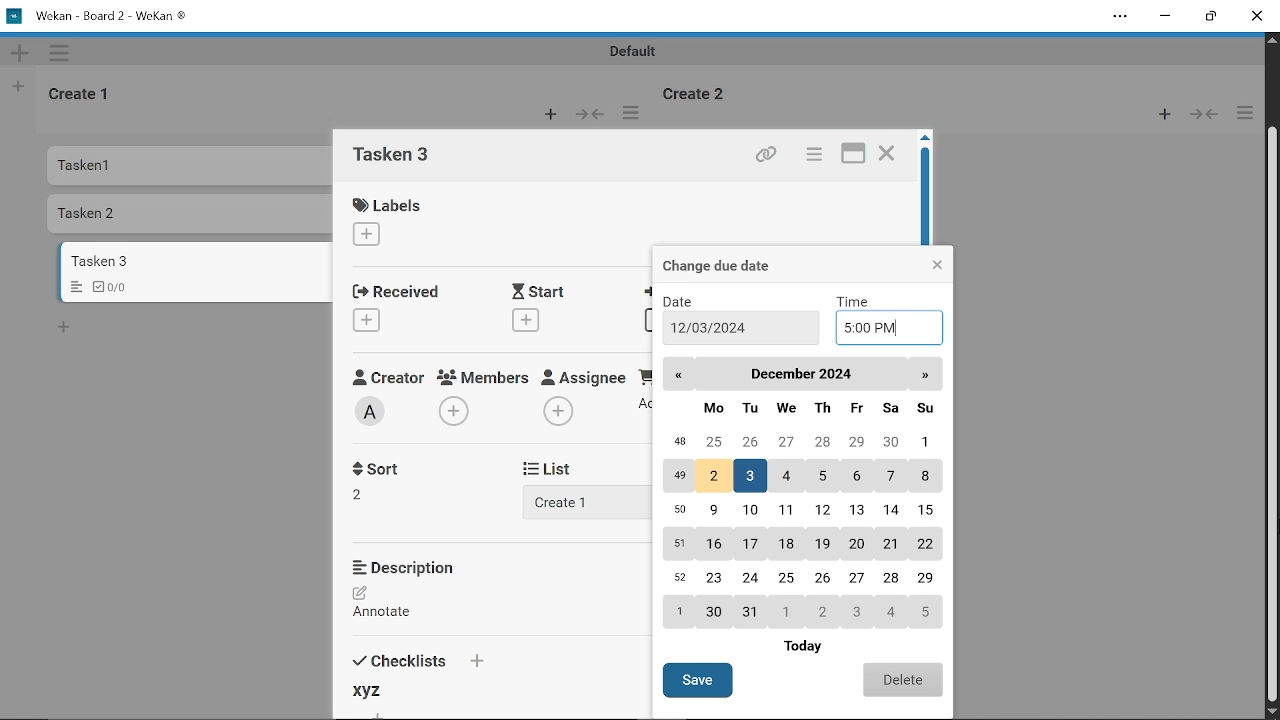 The image size is (1280, 720). Describe the element at coordinates (369, 493) in the screenshot. I see `Sort` at that location.